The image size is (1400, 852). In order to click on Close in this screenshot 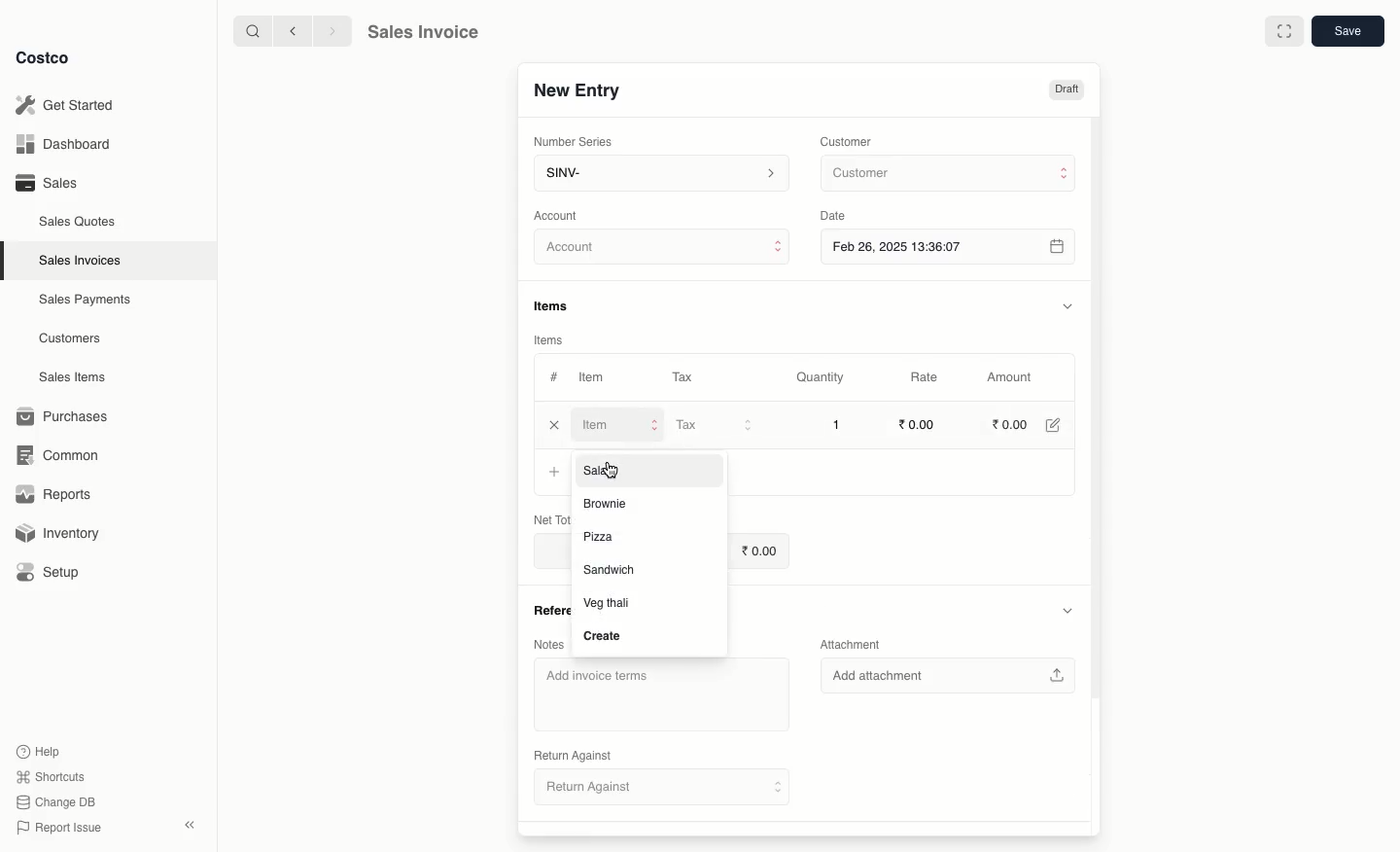, I will do `click(552, 423)`.